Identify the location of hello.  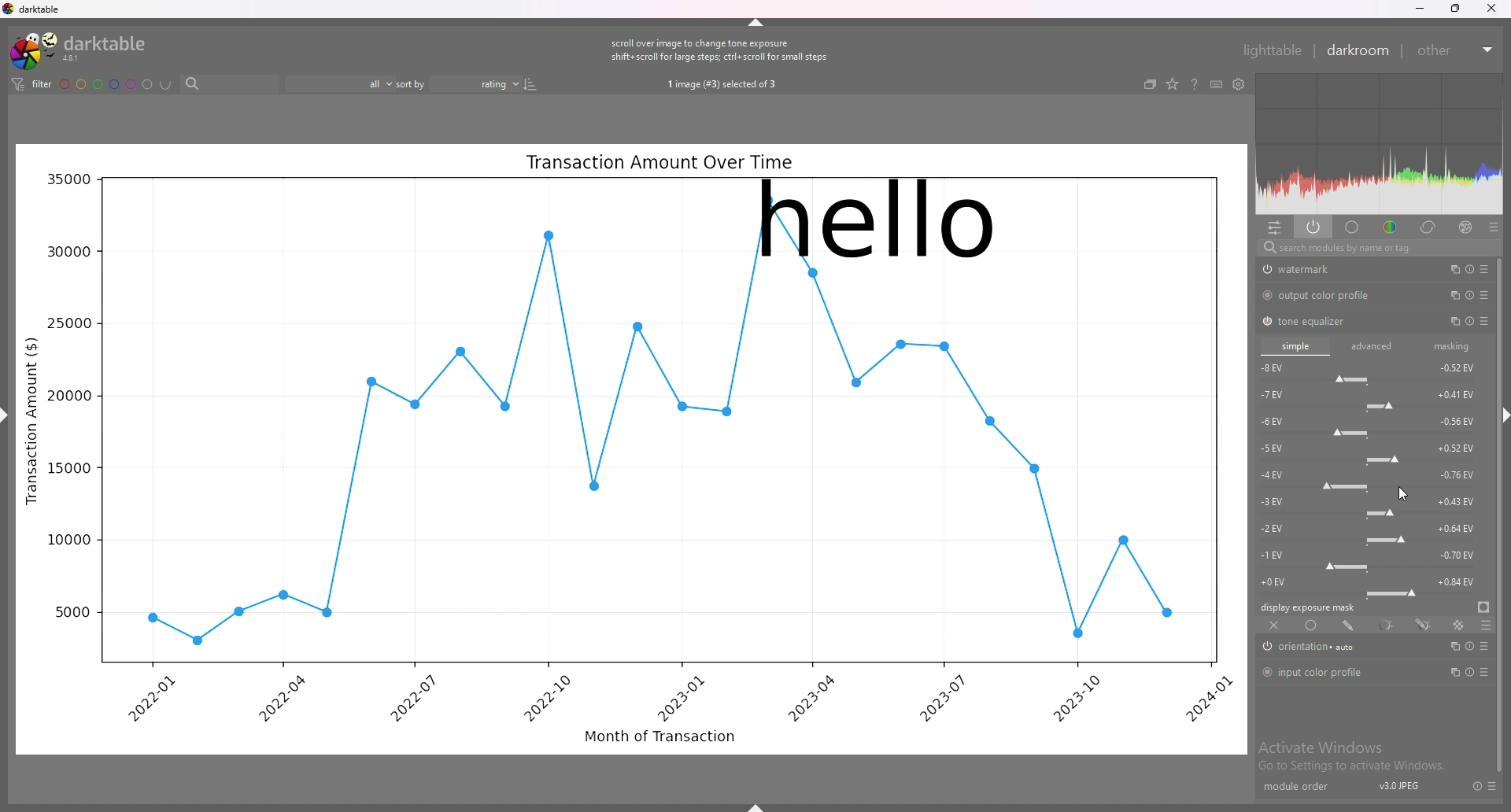
(877, 220).